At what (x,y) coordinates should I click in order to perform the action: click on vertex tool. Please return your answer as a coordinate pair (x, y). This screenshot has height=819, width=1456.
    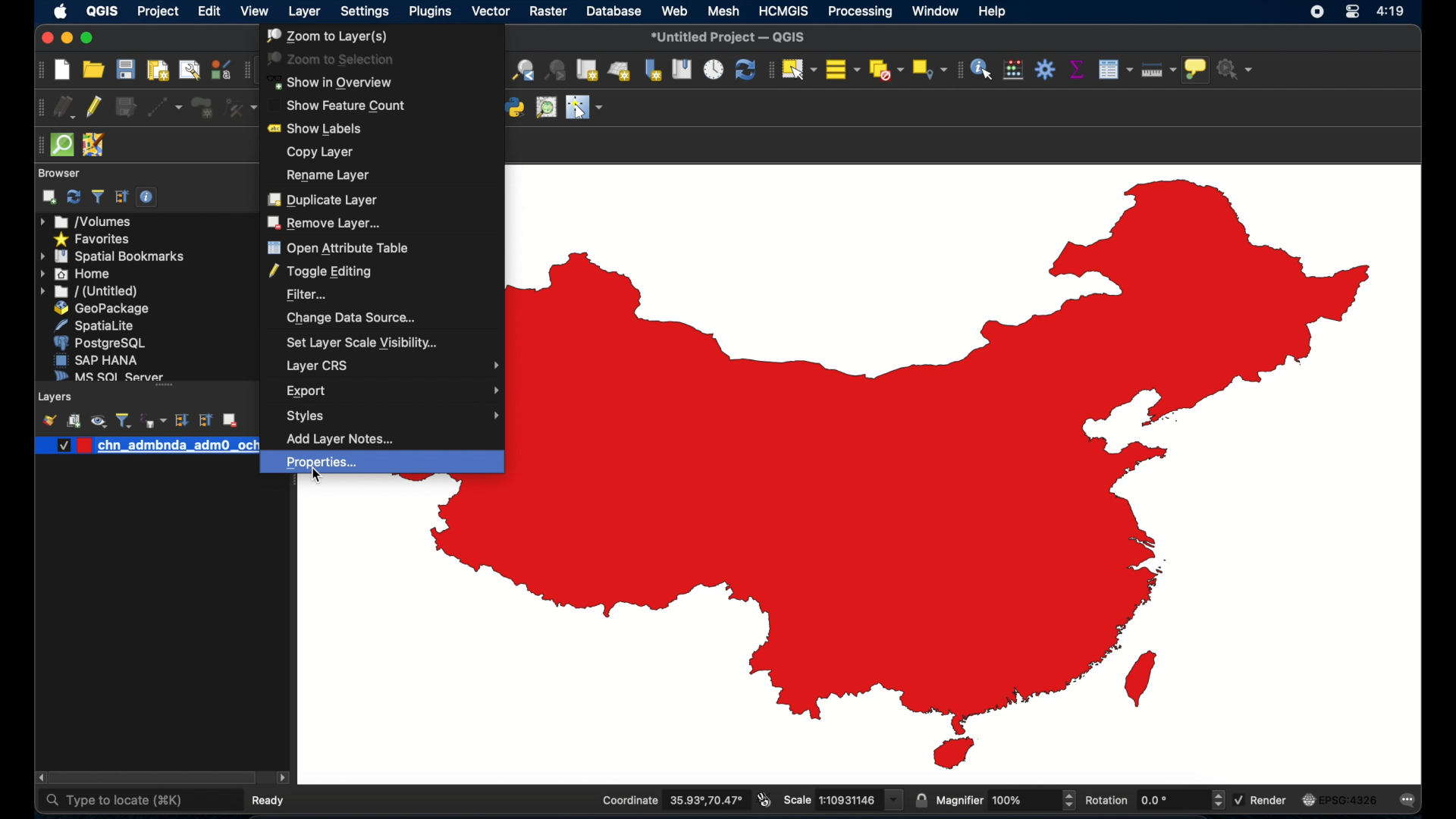
    Looking at the image, I should click on (240, 108).